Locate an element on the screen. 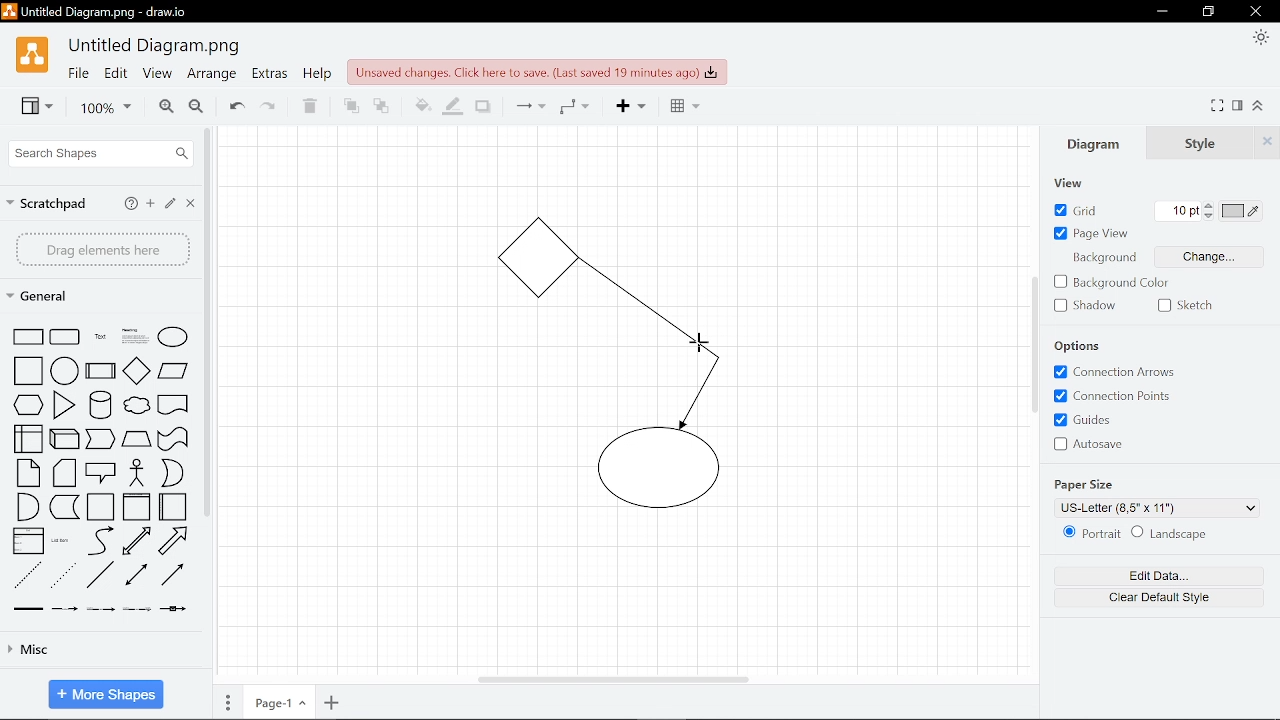  Edit is located at coordinates (172, 205).